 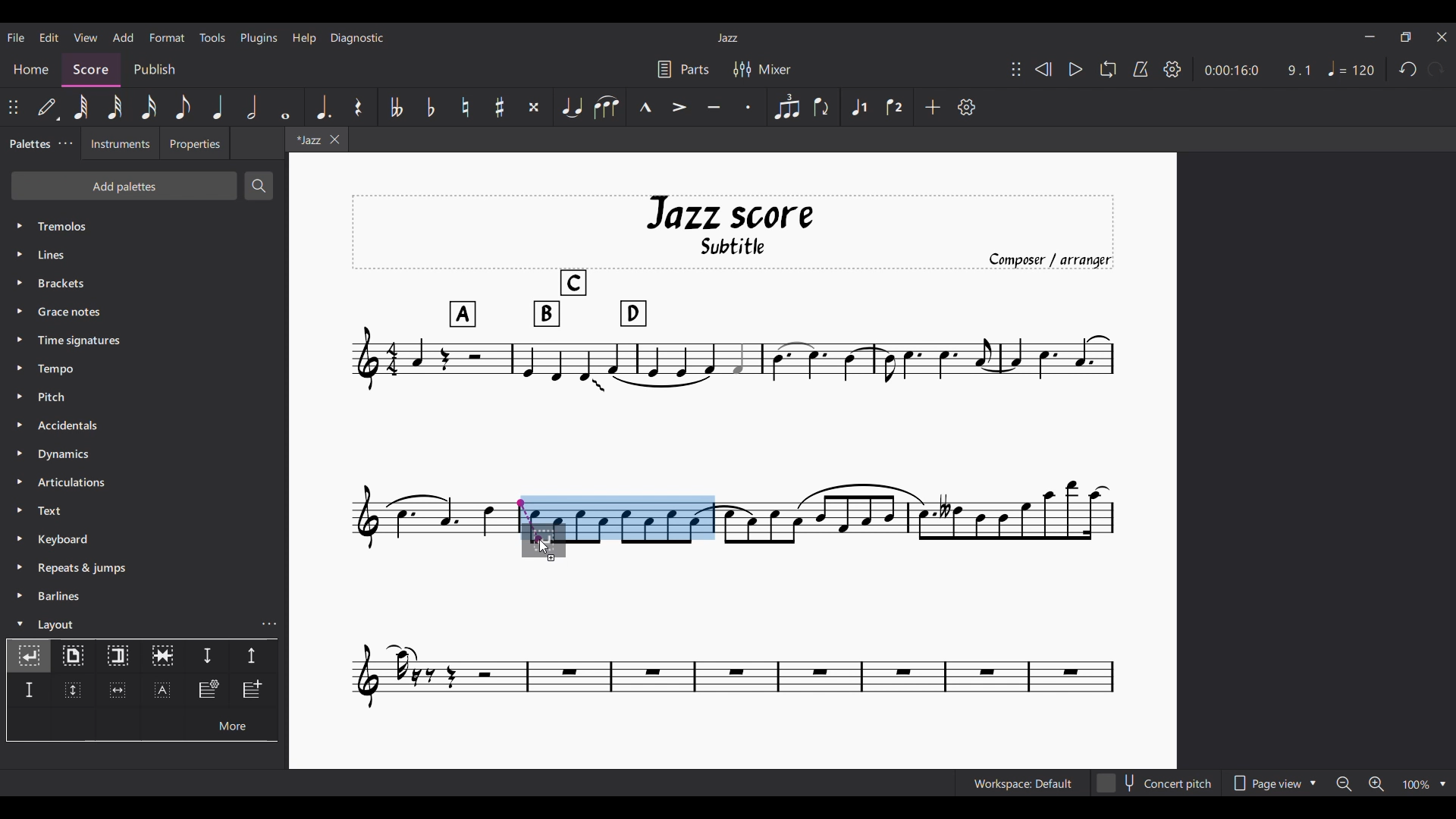 I want to click on Layout settings, so click(x=269, y=624).